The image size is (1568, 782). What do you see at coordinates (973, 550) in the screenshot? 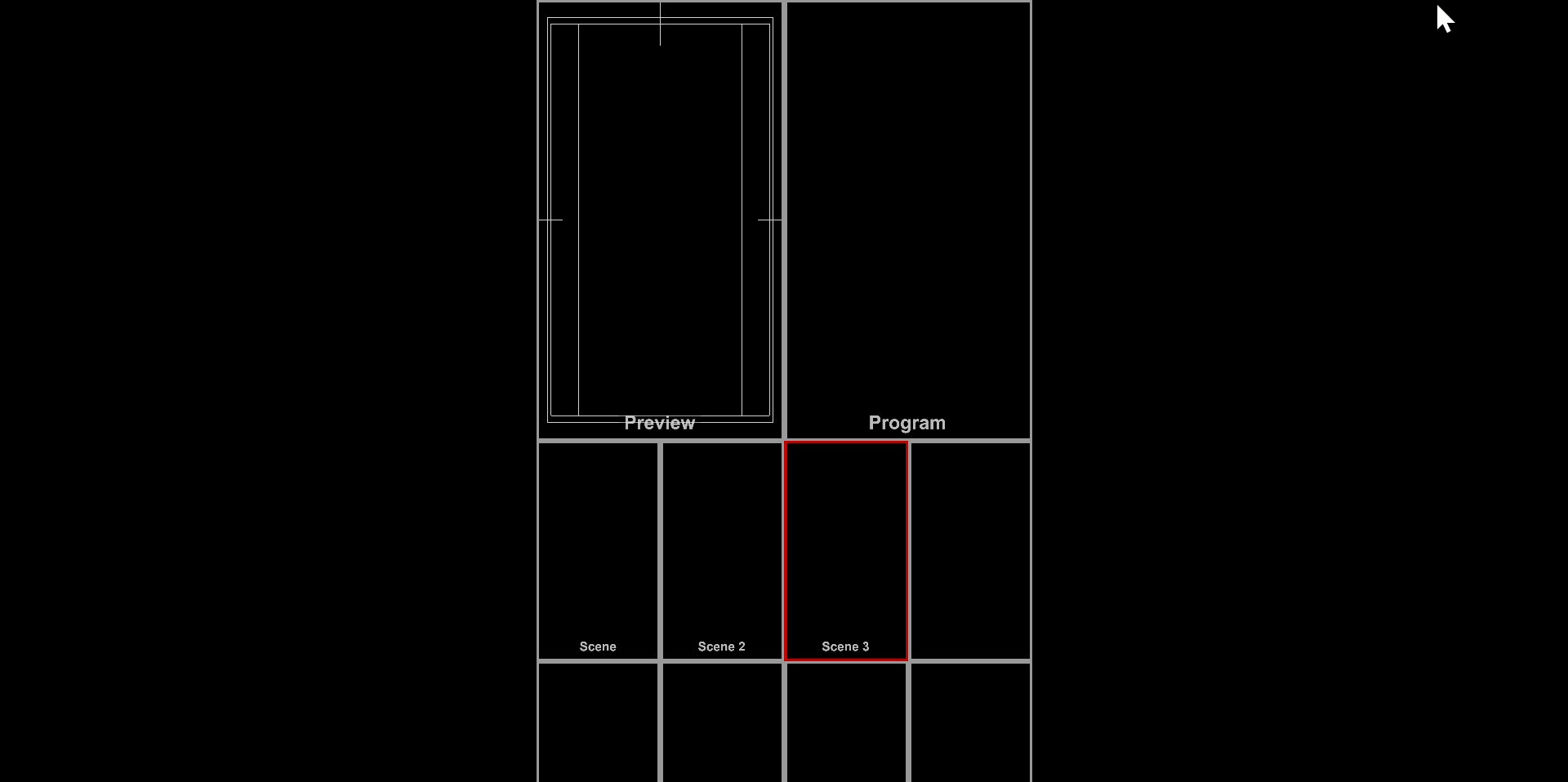
I see `placeholders for scenes that don't currently have any content assigned to them` at bounding box center [973, 550].